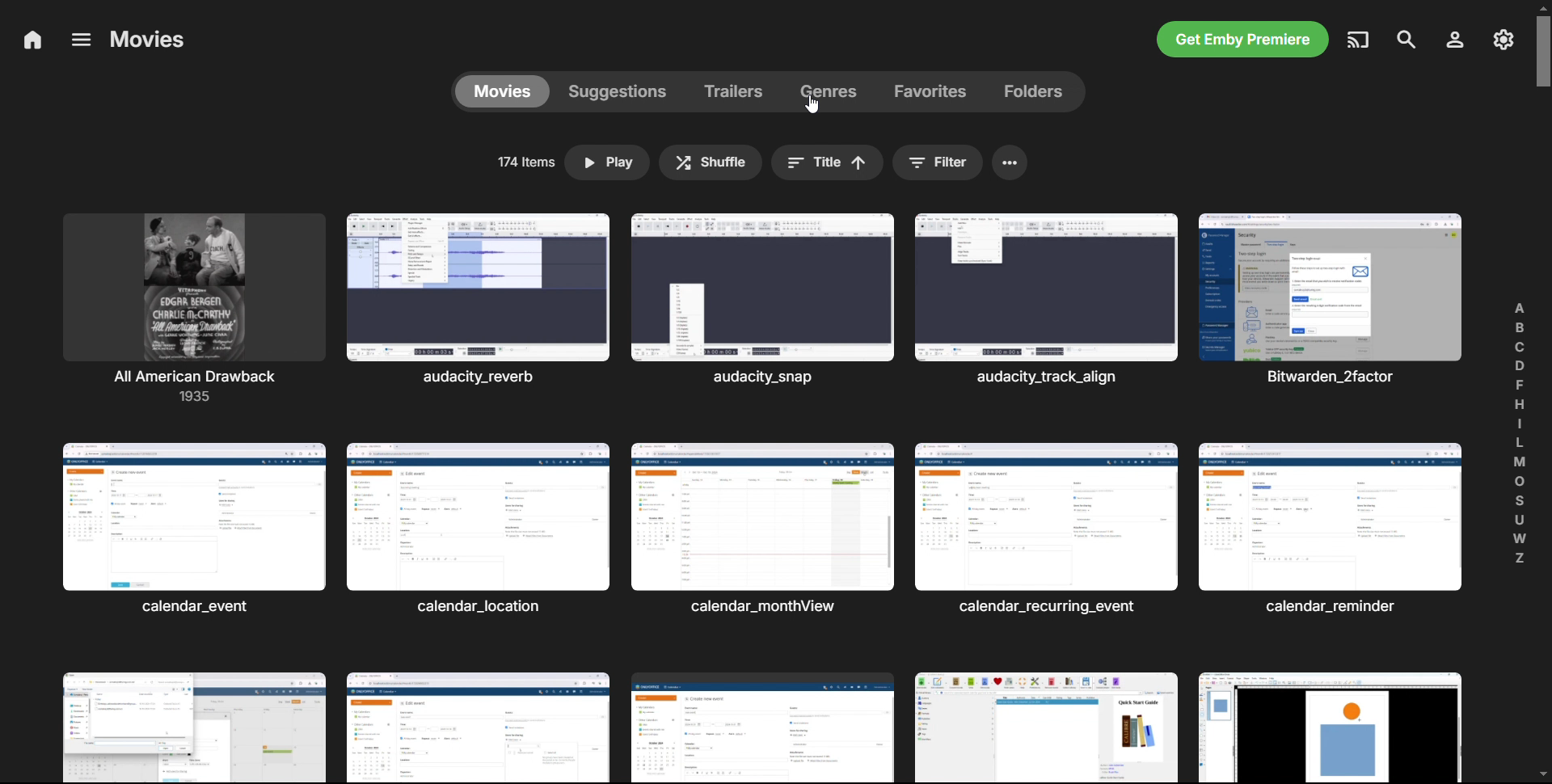 This screenshot has width=1552, height=784. What do you see at coordinates (763, 298) in the screenshot?
I see `audacity_snap` at bounding box center [763, 298].